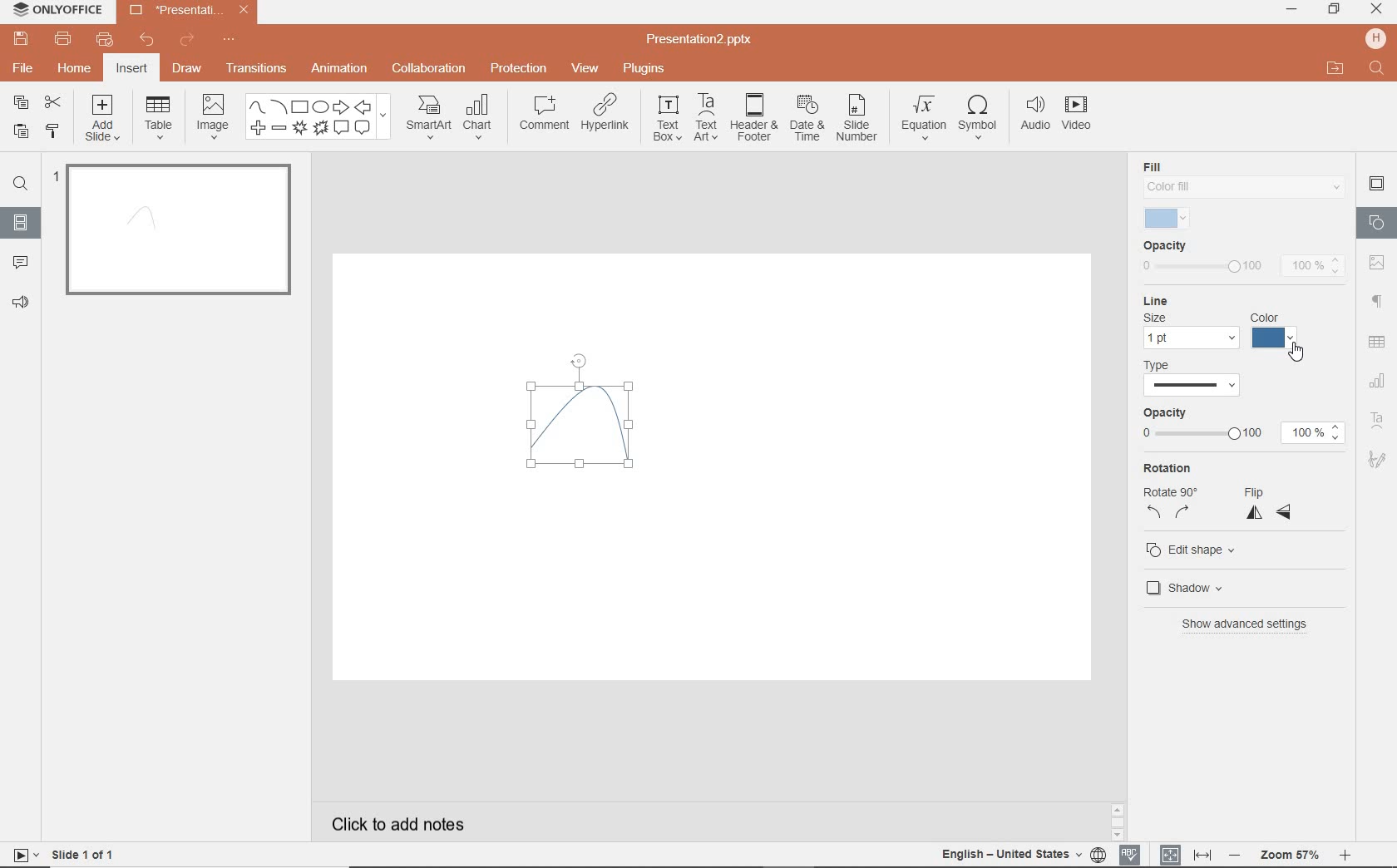 The height and width of the screenshot is (868, 1397). Describe the element at coordinates (1186, 853) in the screenshot. I see `FIT TO SLIDE / FIT TO WIDTH` at that location.